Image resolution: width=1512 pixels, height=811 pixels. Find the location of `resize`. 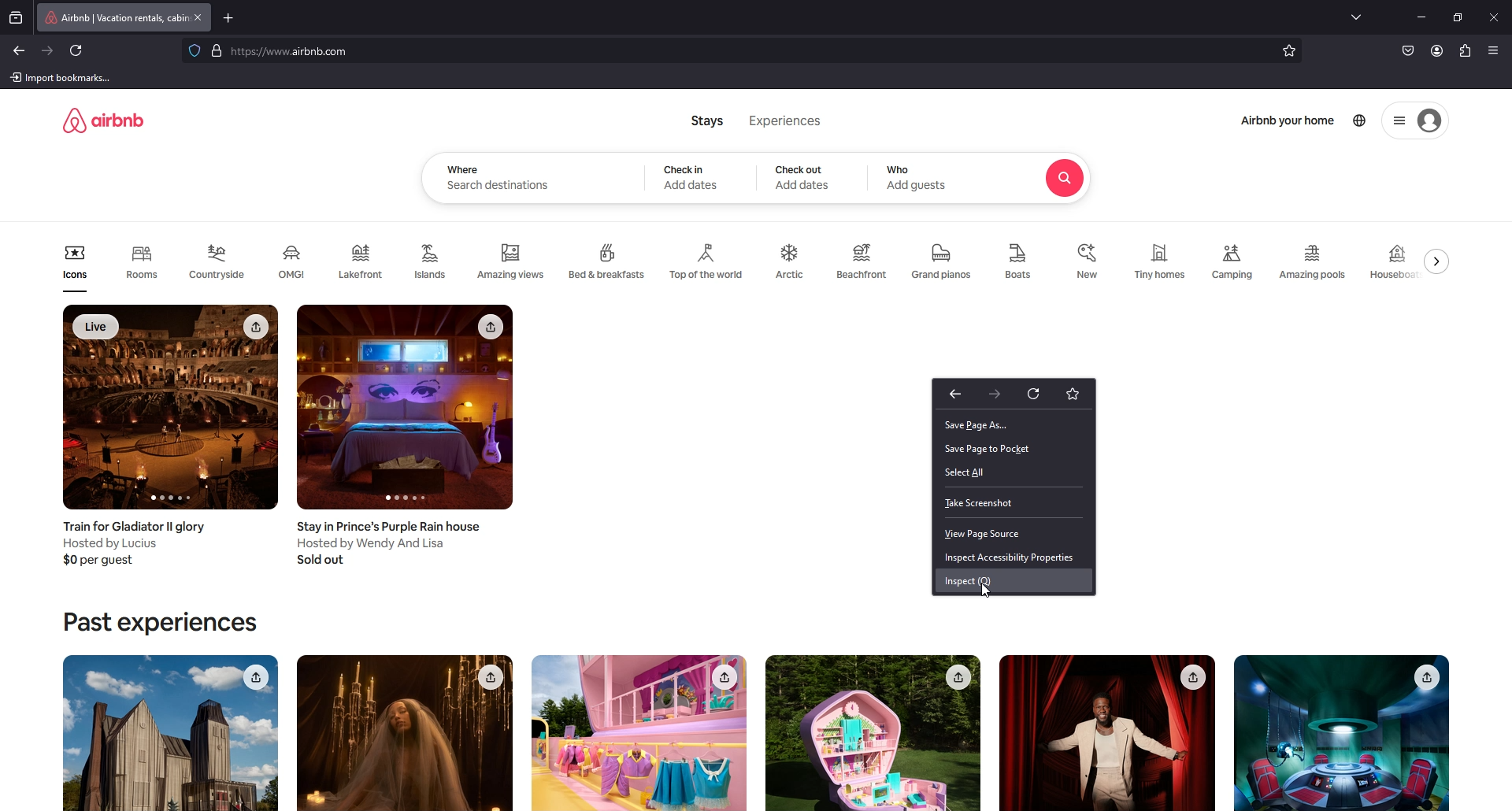

resize is located at coordinates (1458, 18).